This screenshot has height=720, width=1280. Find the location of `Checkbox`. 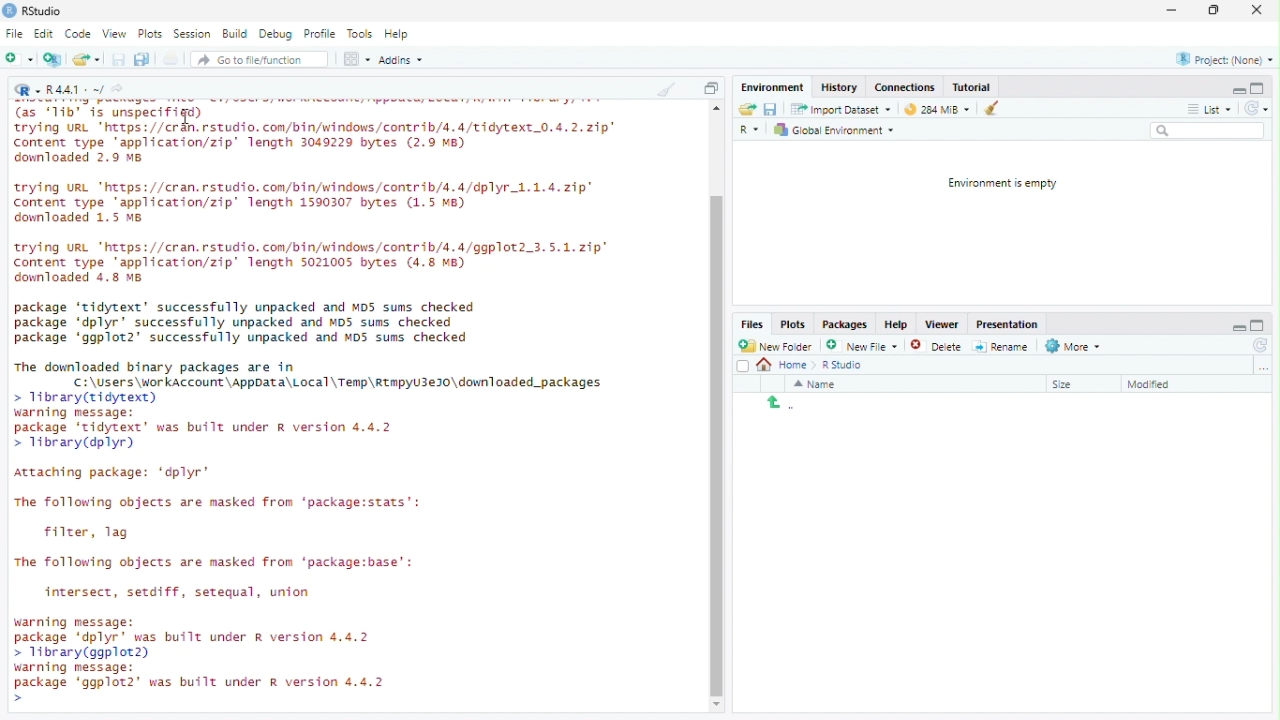

Checkbox is located at coordinates (743, 367).